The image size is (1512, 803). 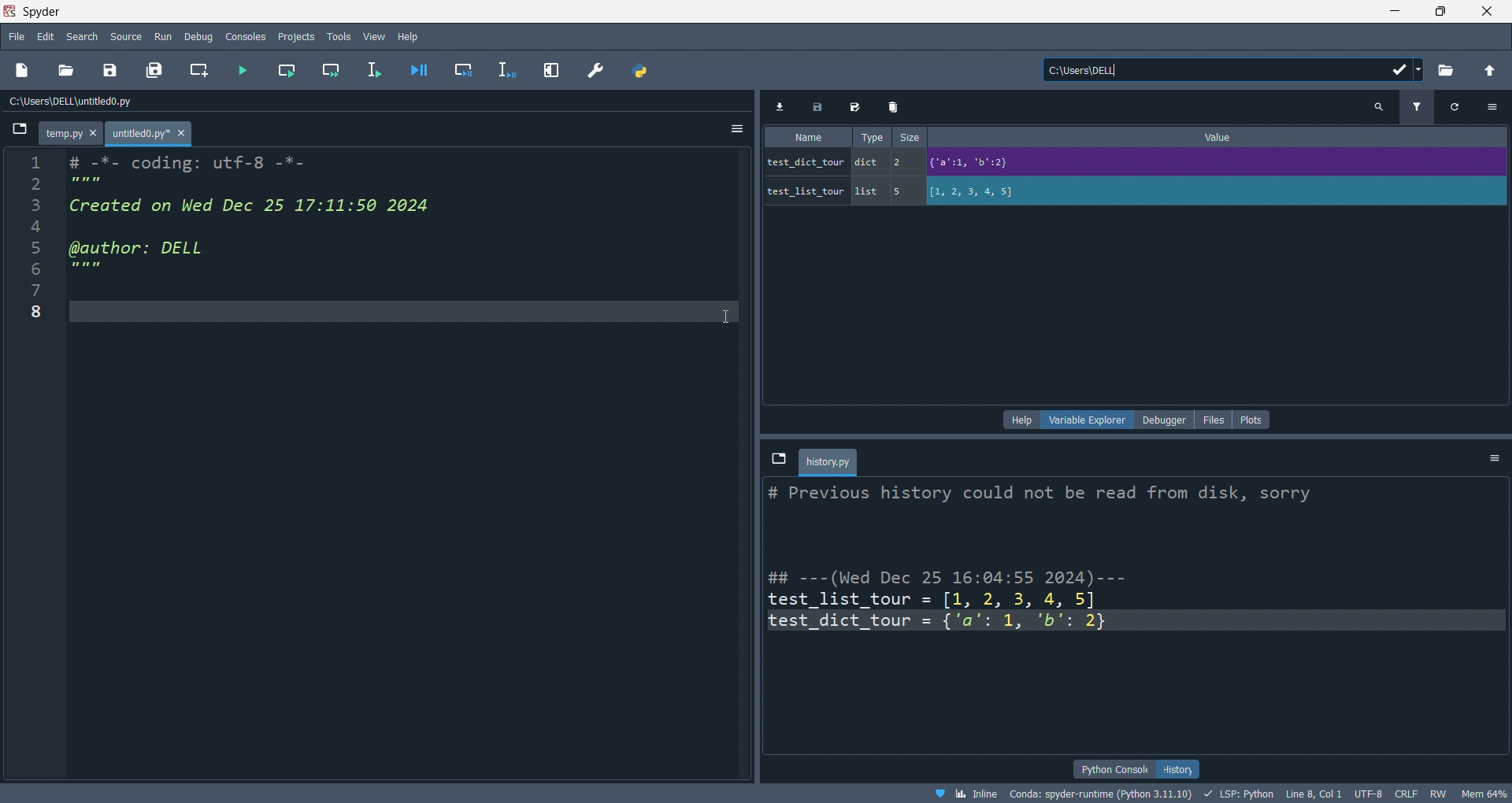 I want to click on help, so click(x=1023, y=420).